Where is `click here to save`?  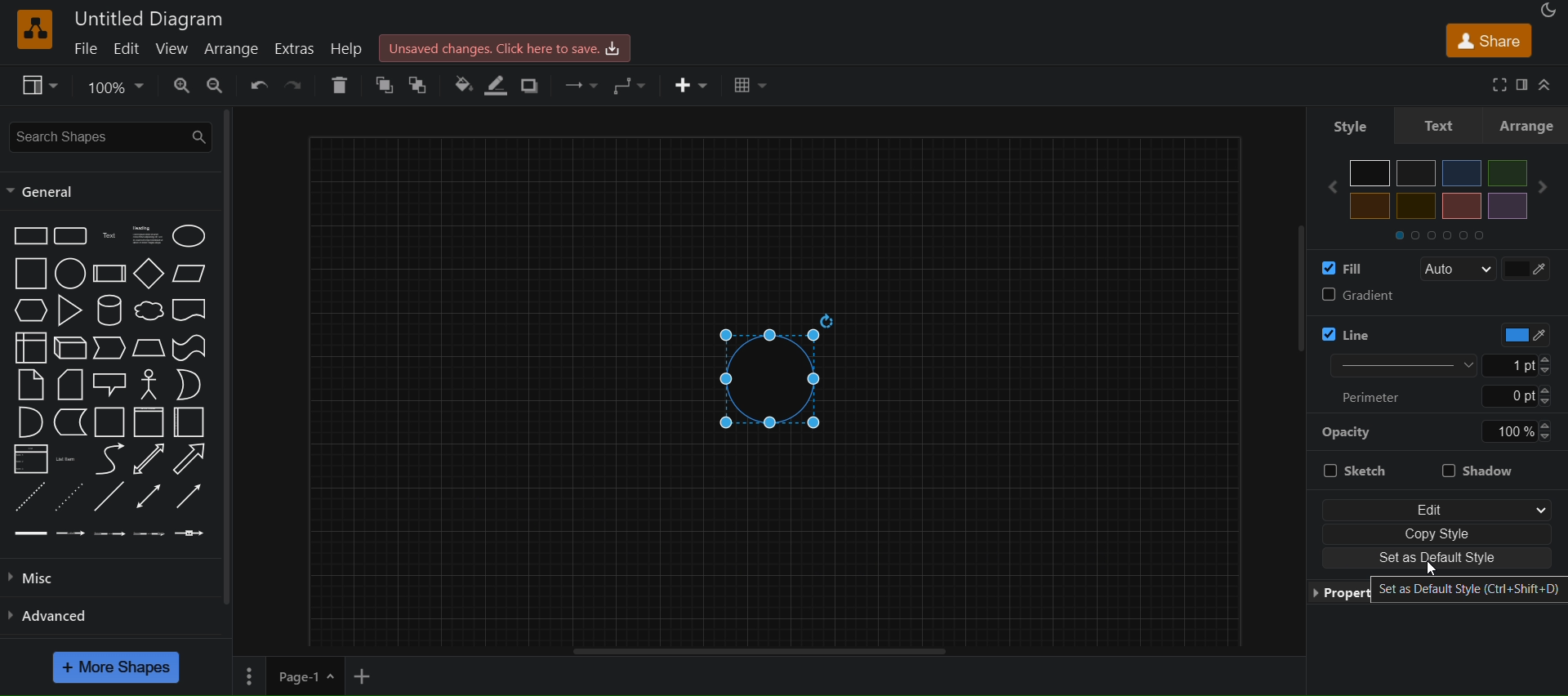 click here to save is located at coordinates (507, 47).